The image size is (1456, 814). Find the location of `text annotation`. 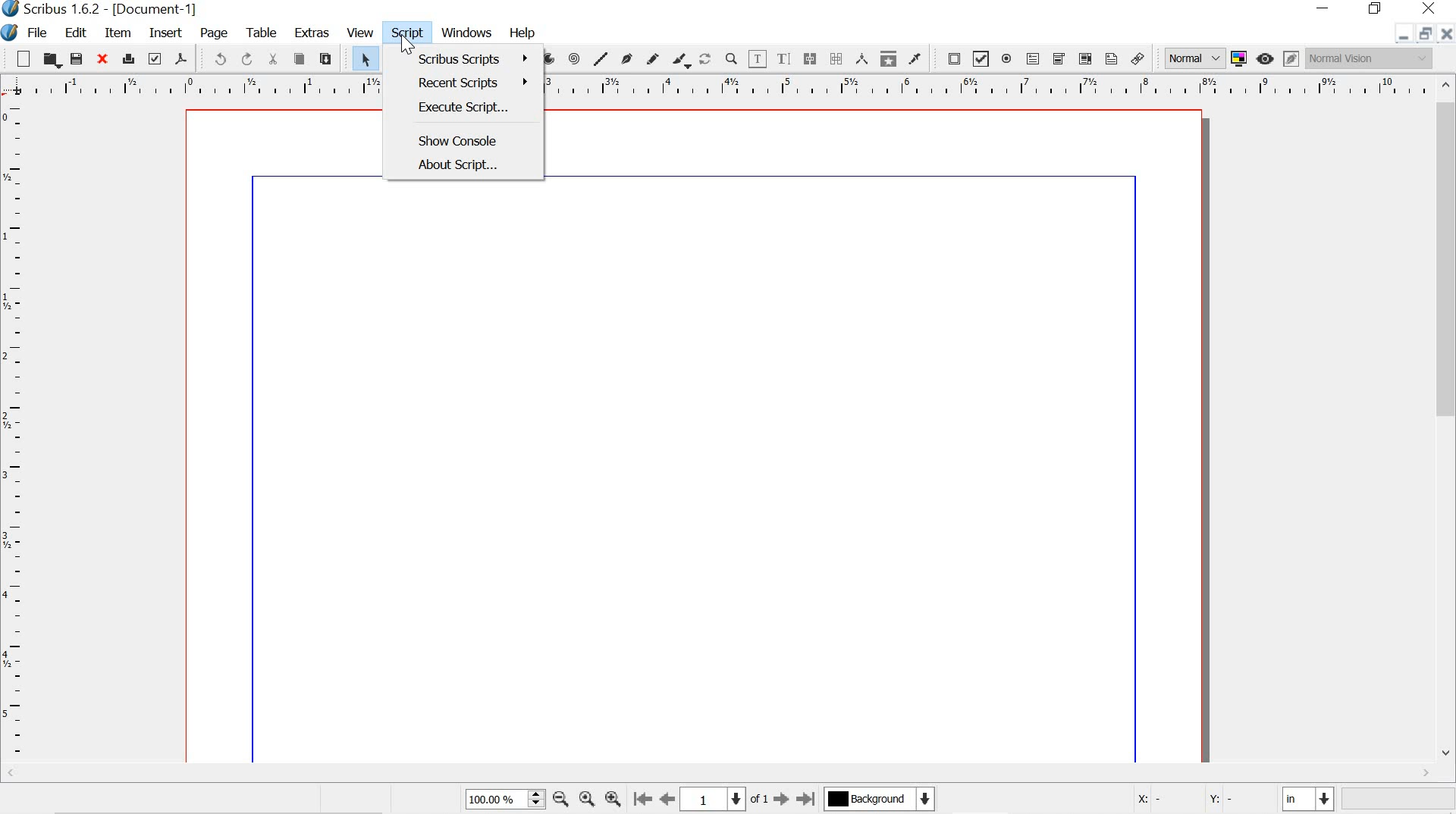

text annotation is located at coordinates (1112, 59).